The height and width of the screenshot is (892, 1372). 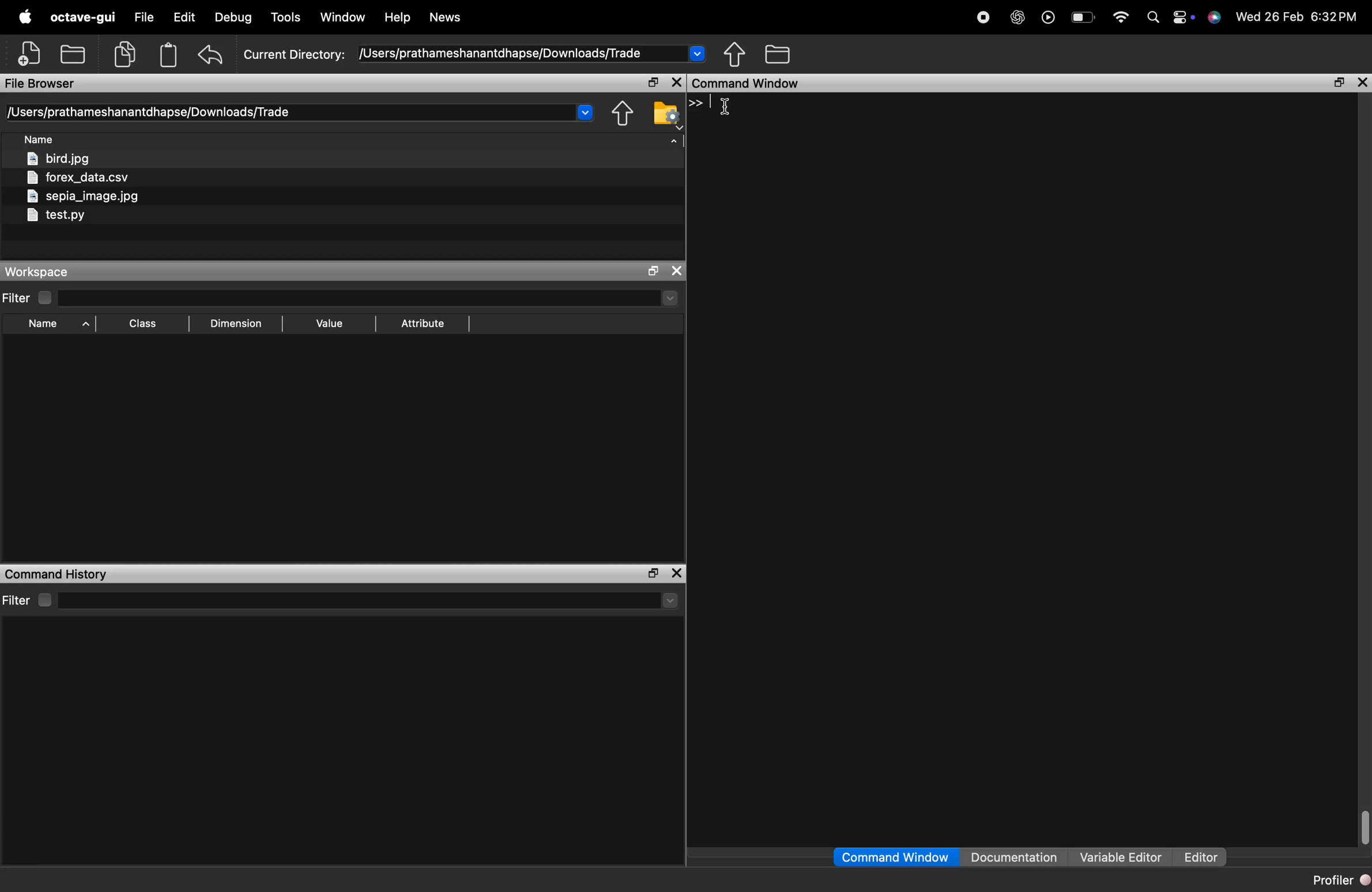 What do you see at coordinates (301, 112) in the screenshot?
I see `current directory` at bounding box center [301, 112].